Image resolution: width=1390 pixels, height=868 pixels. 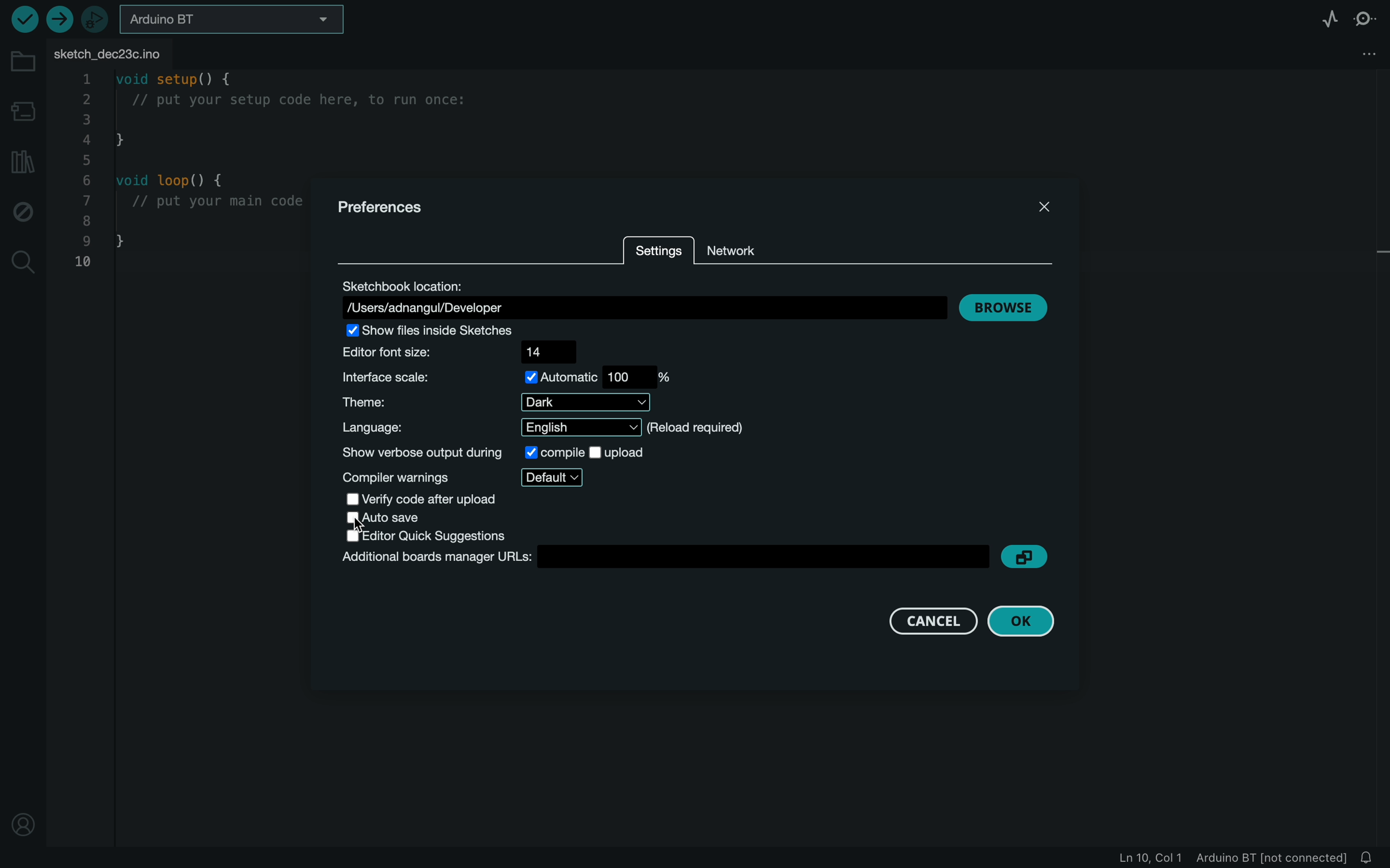 I want to click on scale, so click(x=510, y=377).